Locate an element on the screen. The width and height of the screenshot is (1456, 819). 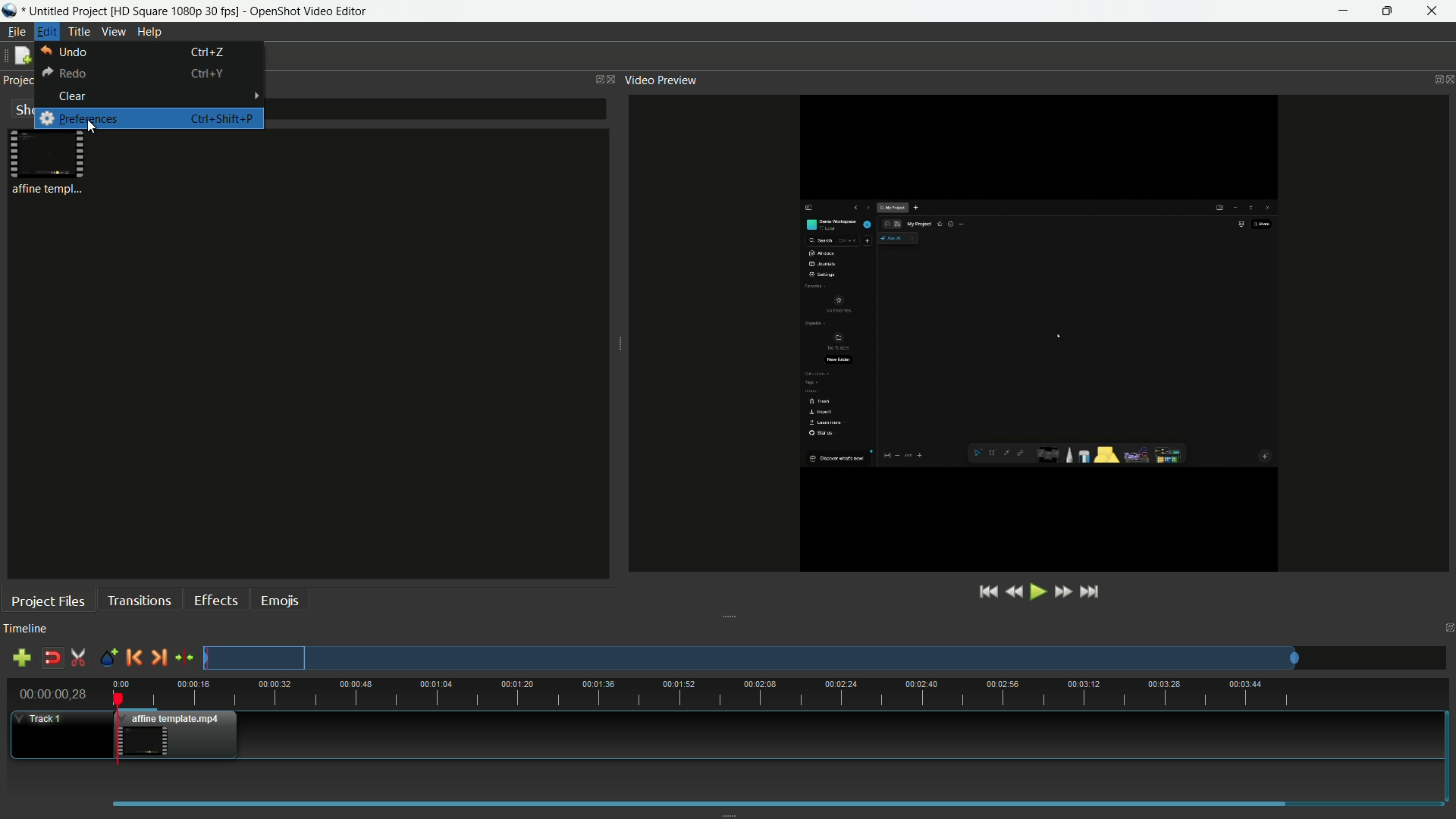
transitions is located at coordinates (138, 600).